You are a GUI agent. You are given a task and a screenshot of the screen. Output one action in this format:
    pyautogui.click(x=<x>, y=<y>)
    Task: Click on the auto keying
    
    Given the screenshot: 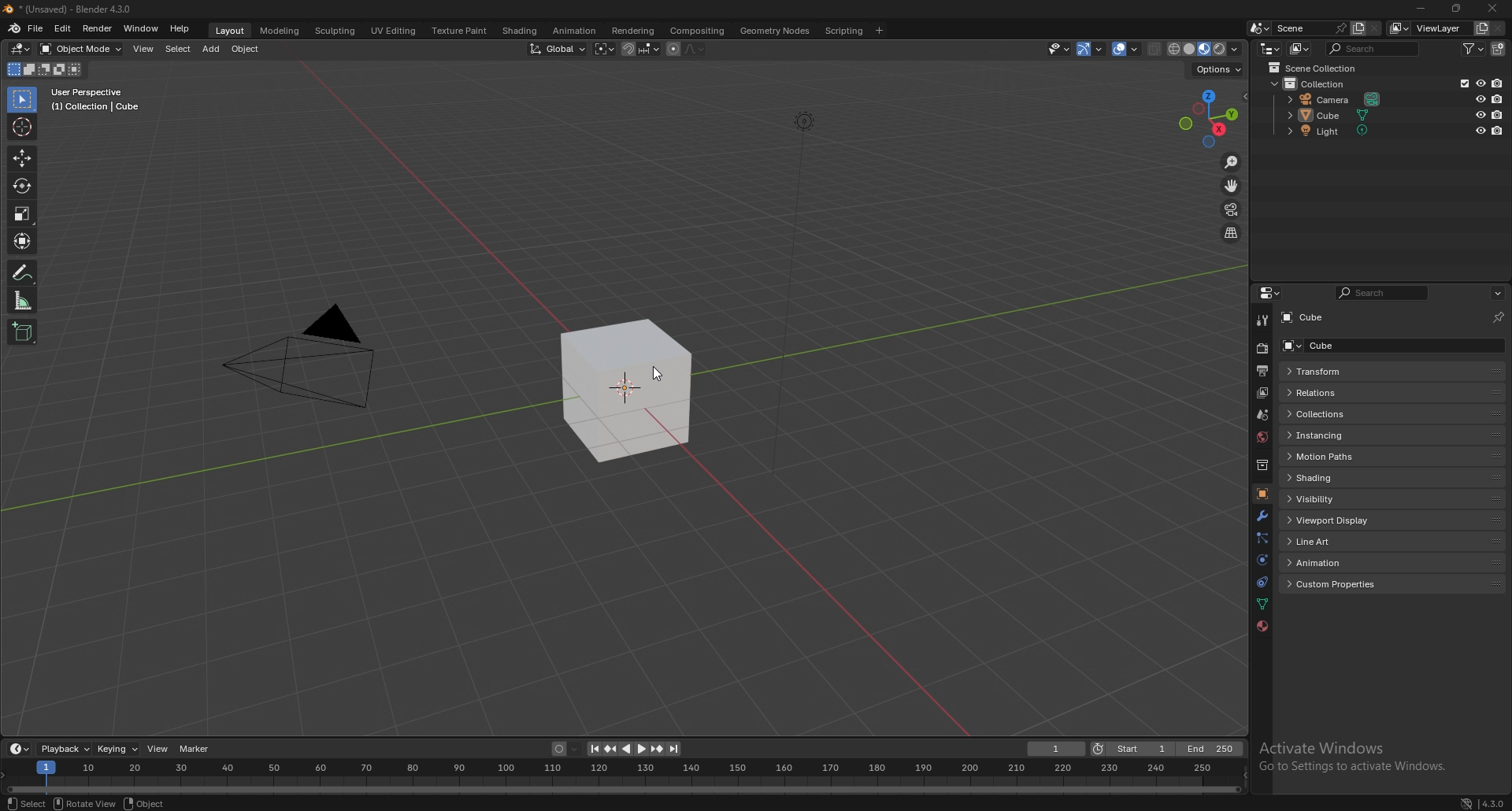 What is the action you would take?
    pyautogui.click(x=566, y=750)
    